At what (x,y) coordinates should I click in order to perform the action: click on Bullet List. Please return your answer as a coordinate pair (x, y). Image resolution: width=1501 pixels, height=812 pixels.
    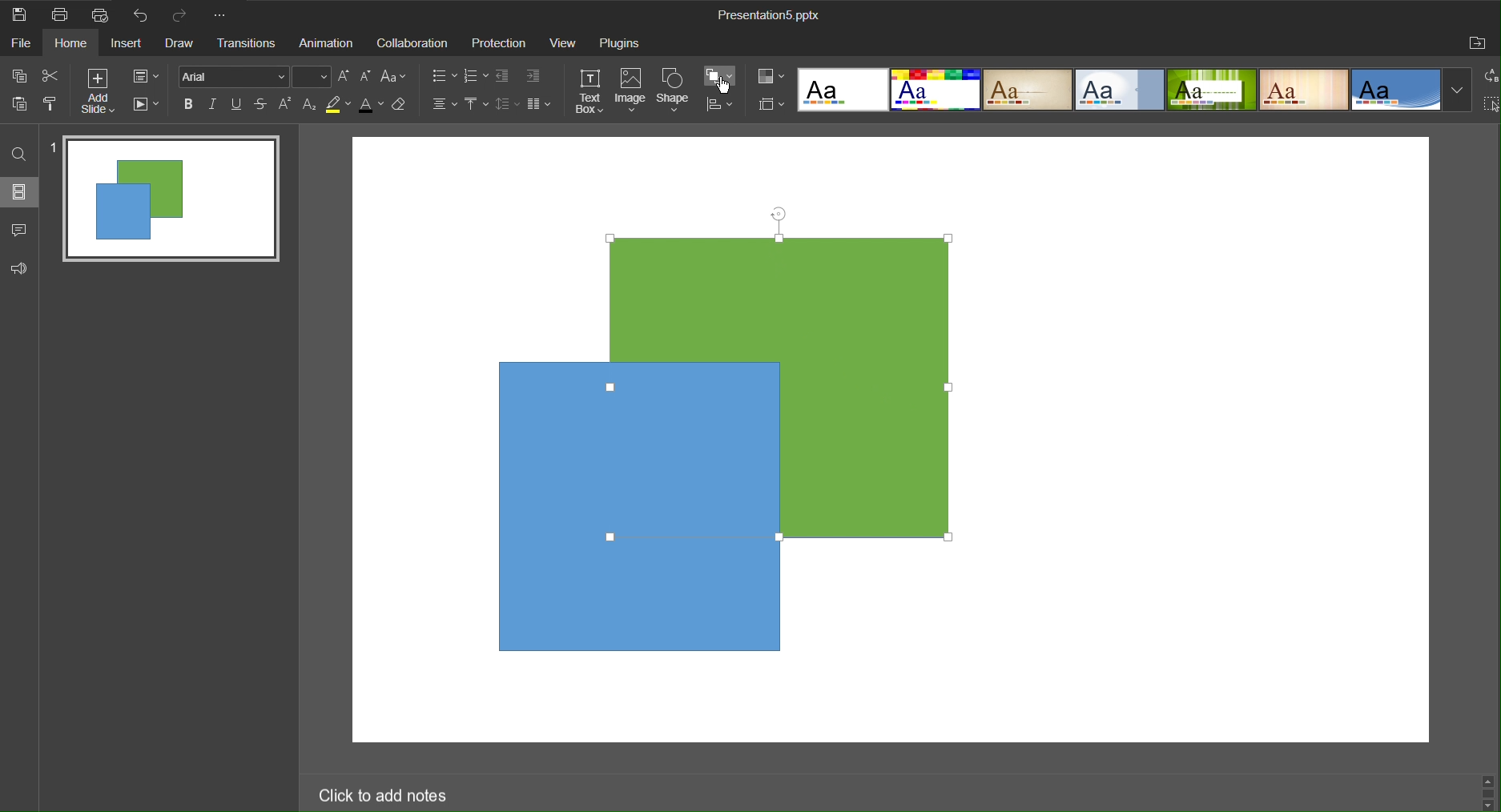
    Looking at the image, I should click on (441, 77).